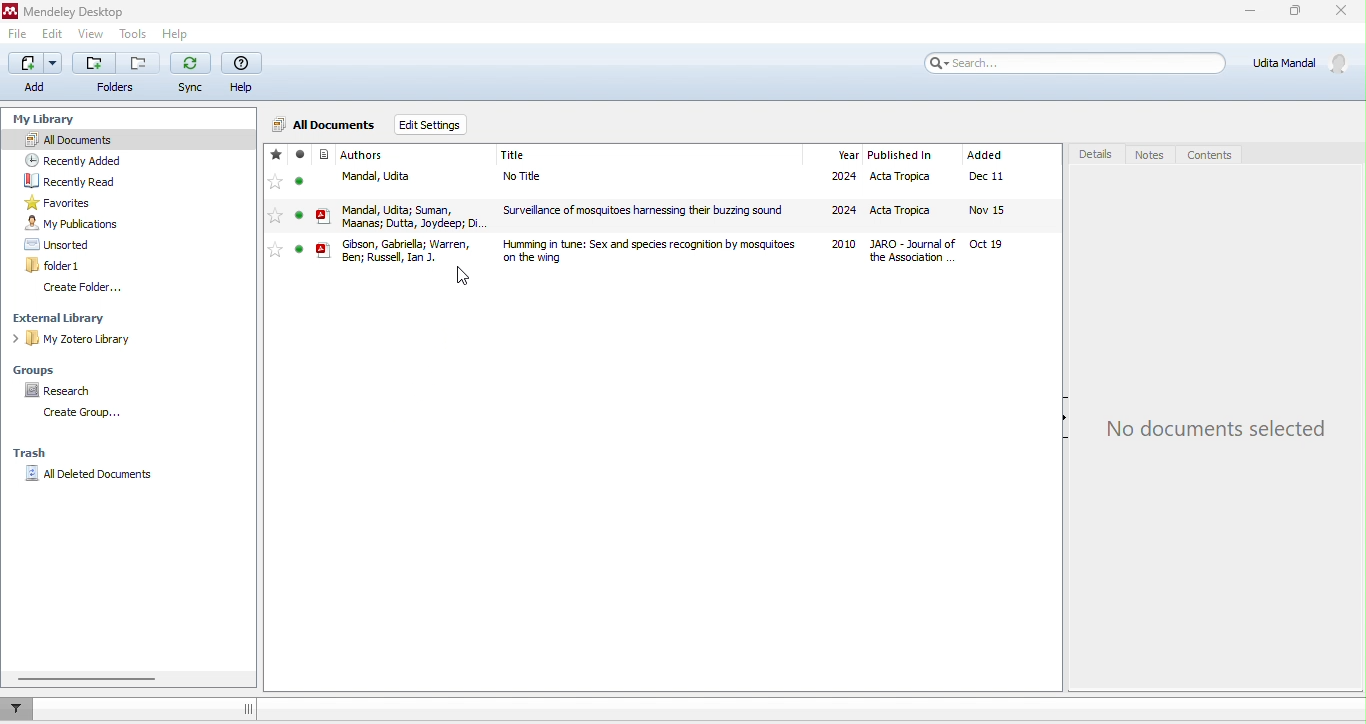 Image resolution: width=1366 pixels, height=724 pixels. What do you see at coordinates (700, 179) in the screenshot?
I see `file` at bounding box center [700, 179].